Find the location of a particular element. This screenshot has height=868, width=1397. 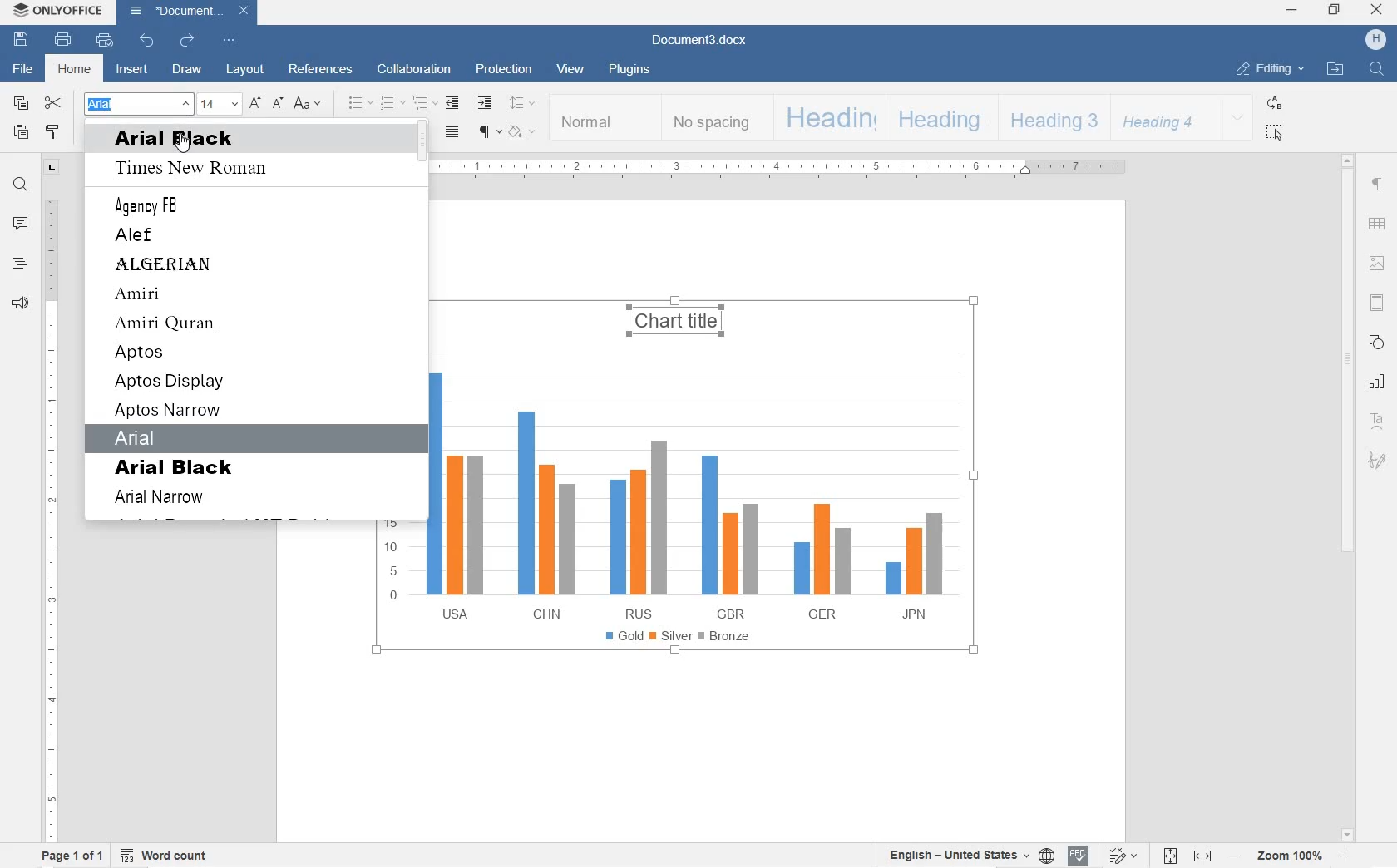

CHART TITLE HIGHLIGHTED is located at coordinates (674, 313).